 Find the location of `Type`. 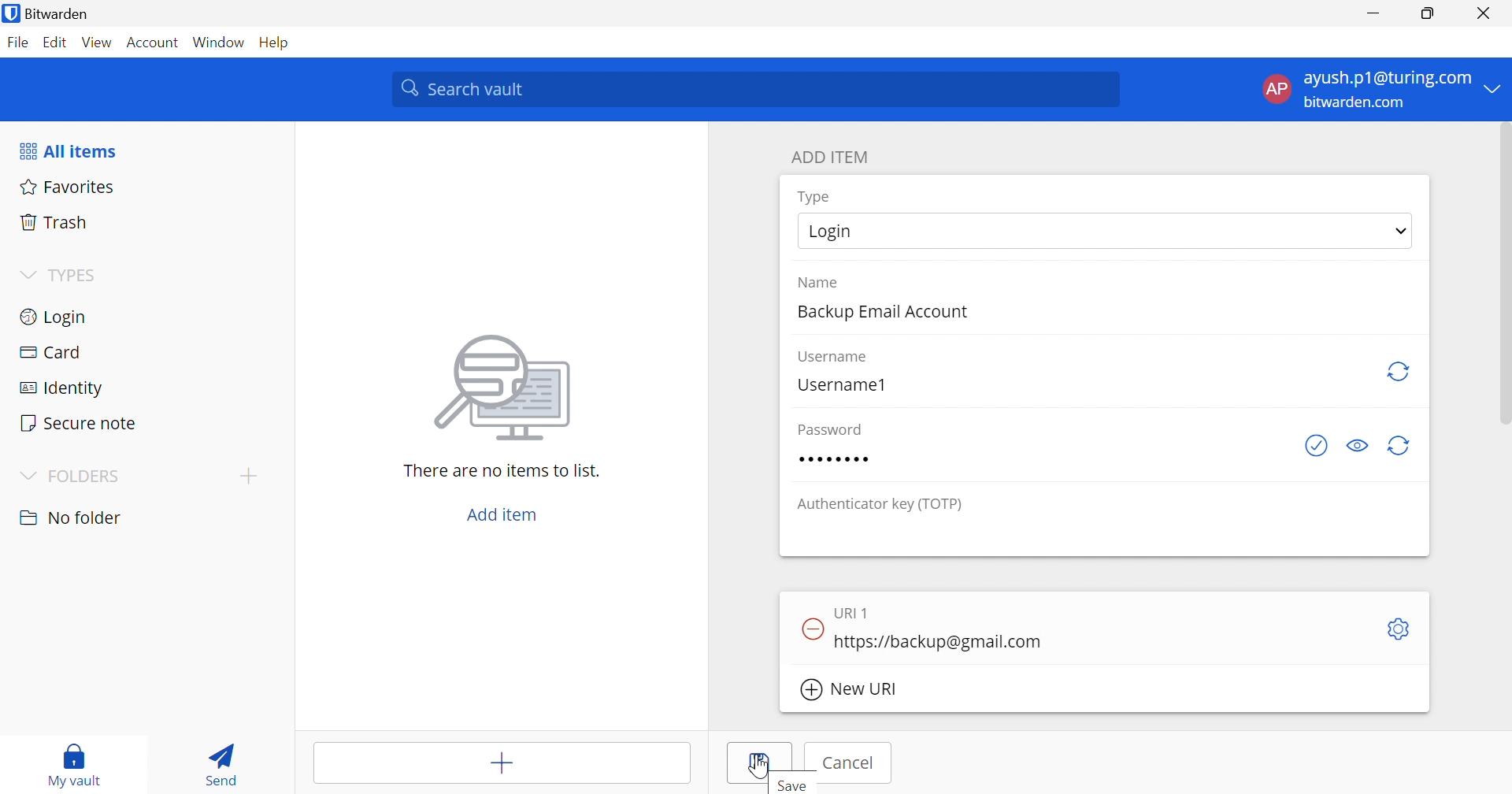

Type is located at coordinates (816, 198).